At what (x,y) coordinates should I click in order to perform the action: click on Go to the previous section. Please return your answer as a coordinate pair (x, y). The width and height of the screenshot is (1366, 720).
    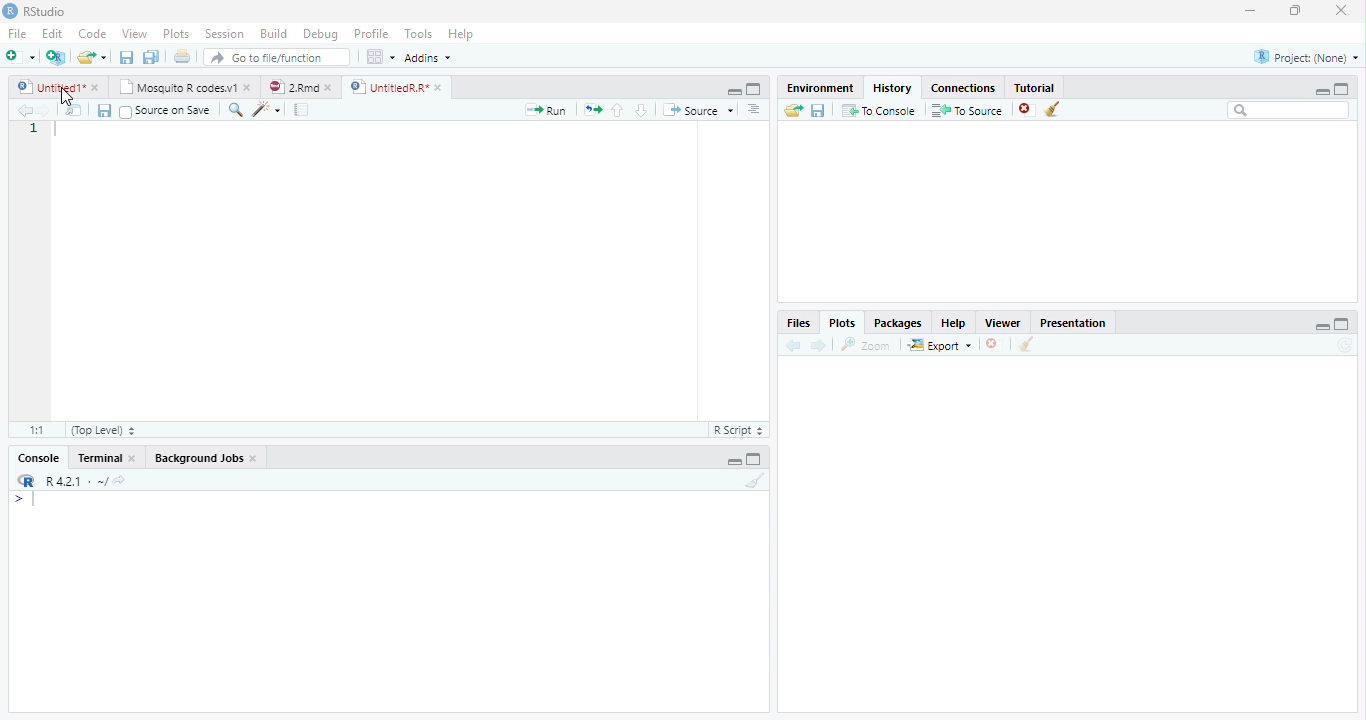
    Looking at the image, I should click on (617, 113).